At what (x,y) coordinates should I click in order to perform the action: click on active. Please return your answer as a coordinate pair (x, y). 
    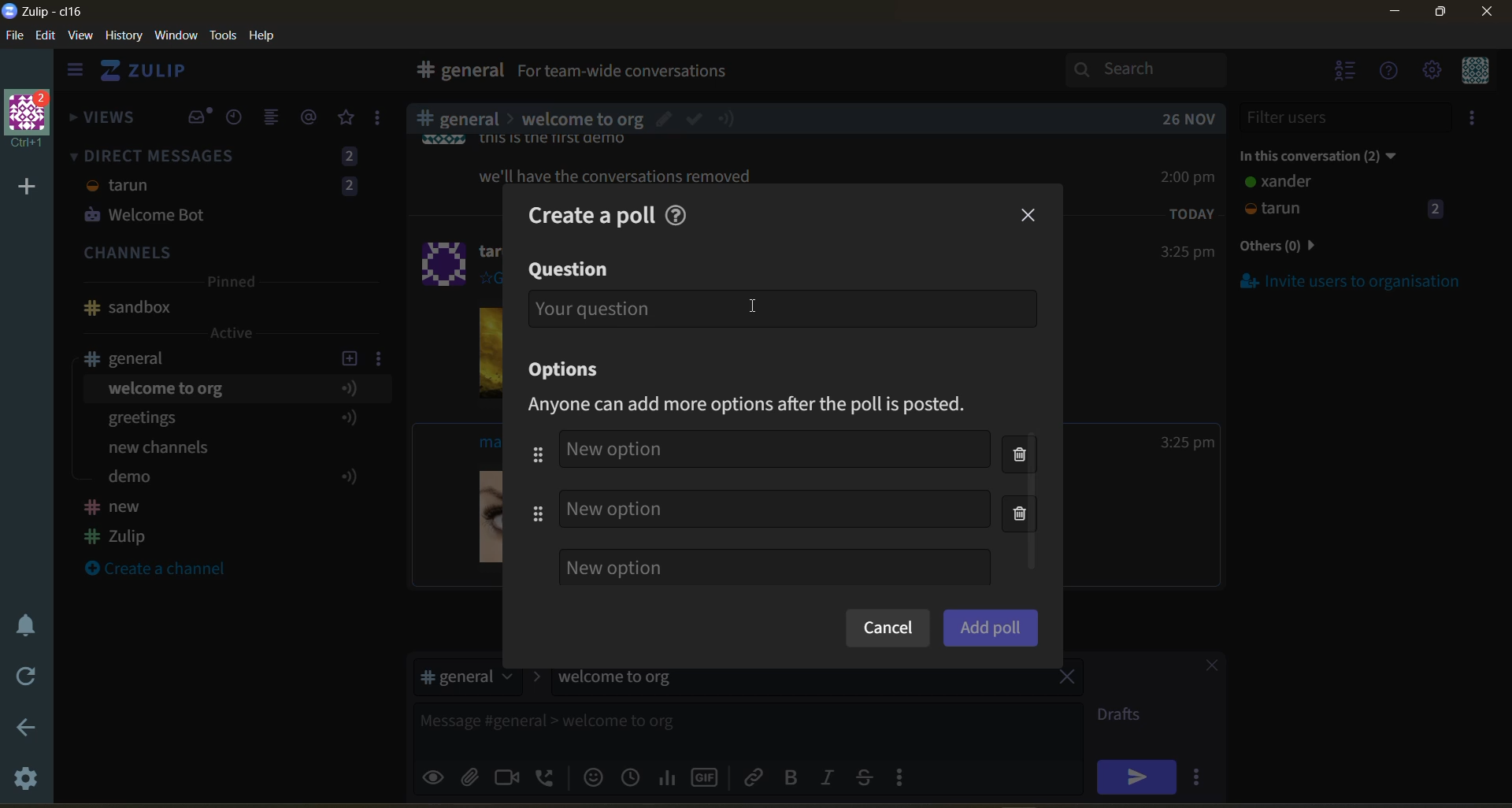
    Looking at the image, I should click on (233, 333).